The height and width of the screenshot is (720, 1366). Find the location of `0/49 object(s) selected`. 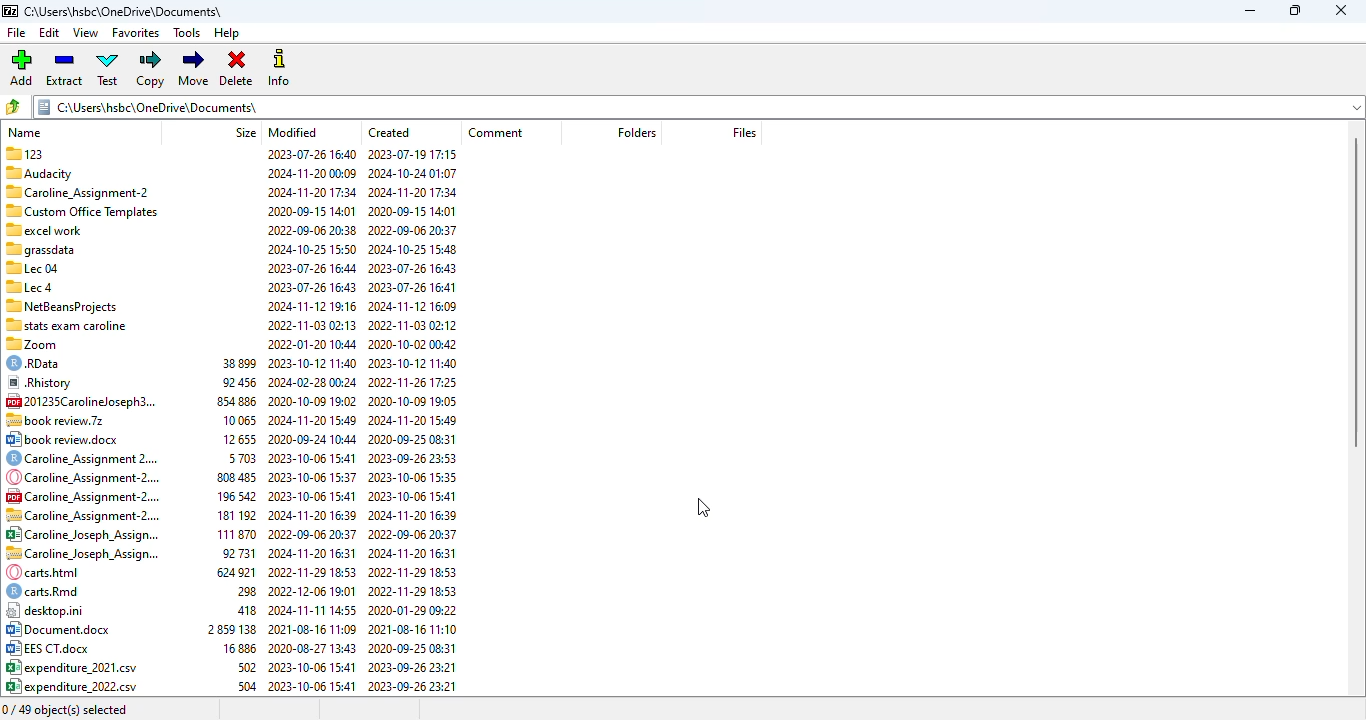

0/49 object(s) selected is located at coordinates (65, 709).